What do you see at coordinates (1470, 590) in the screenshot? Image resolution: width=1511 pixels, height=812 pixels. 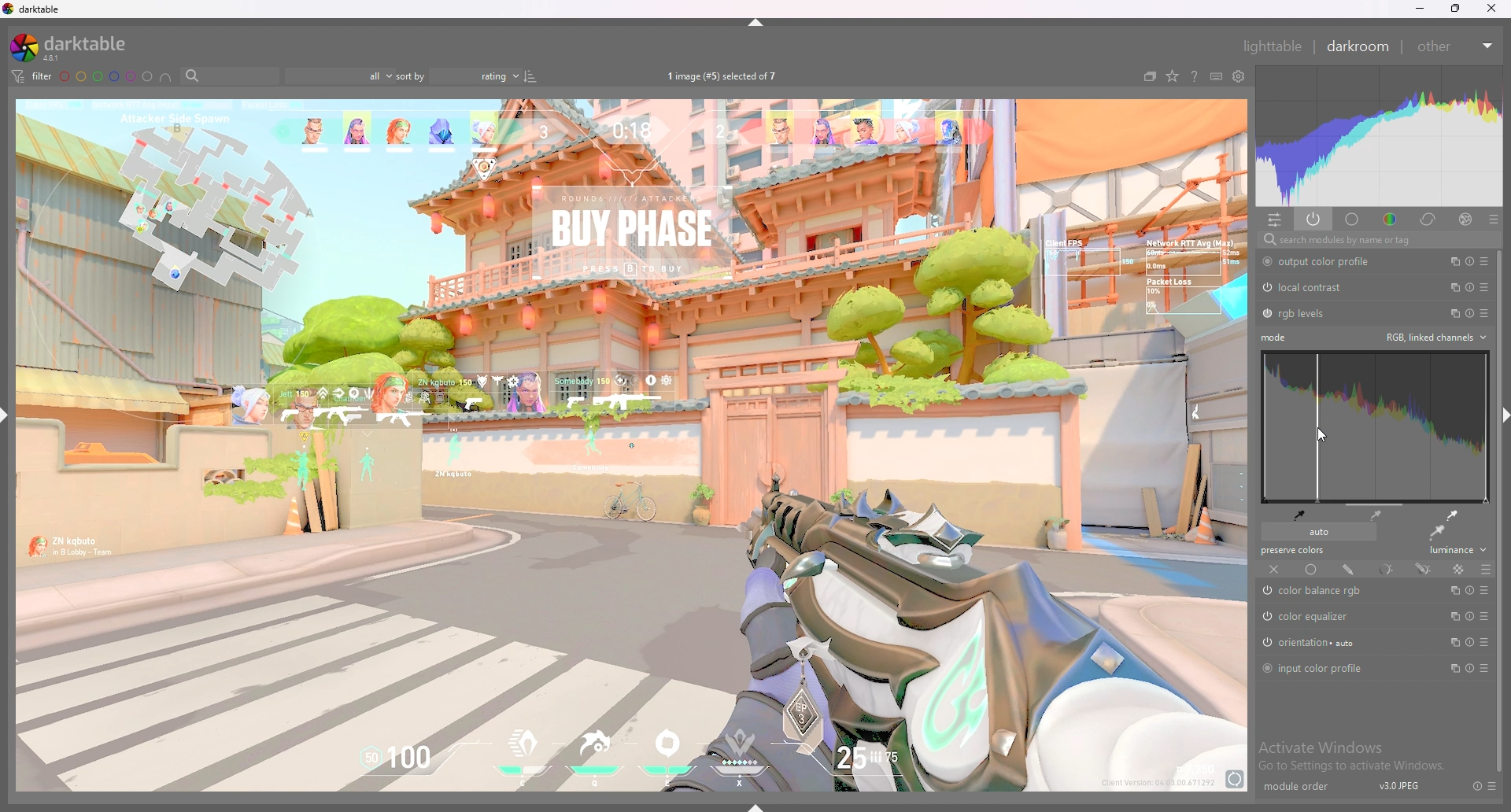 I see `play` at bounding box center [1470, 590].